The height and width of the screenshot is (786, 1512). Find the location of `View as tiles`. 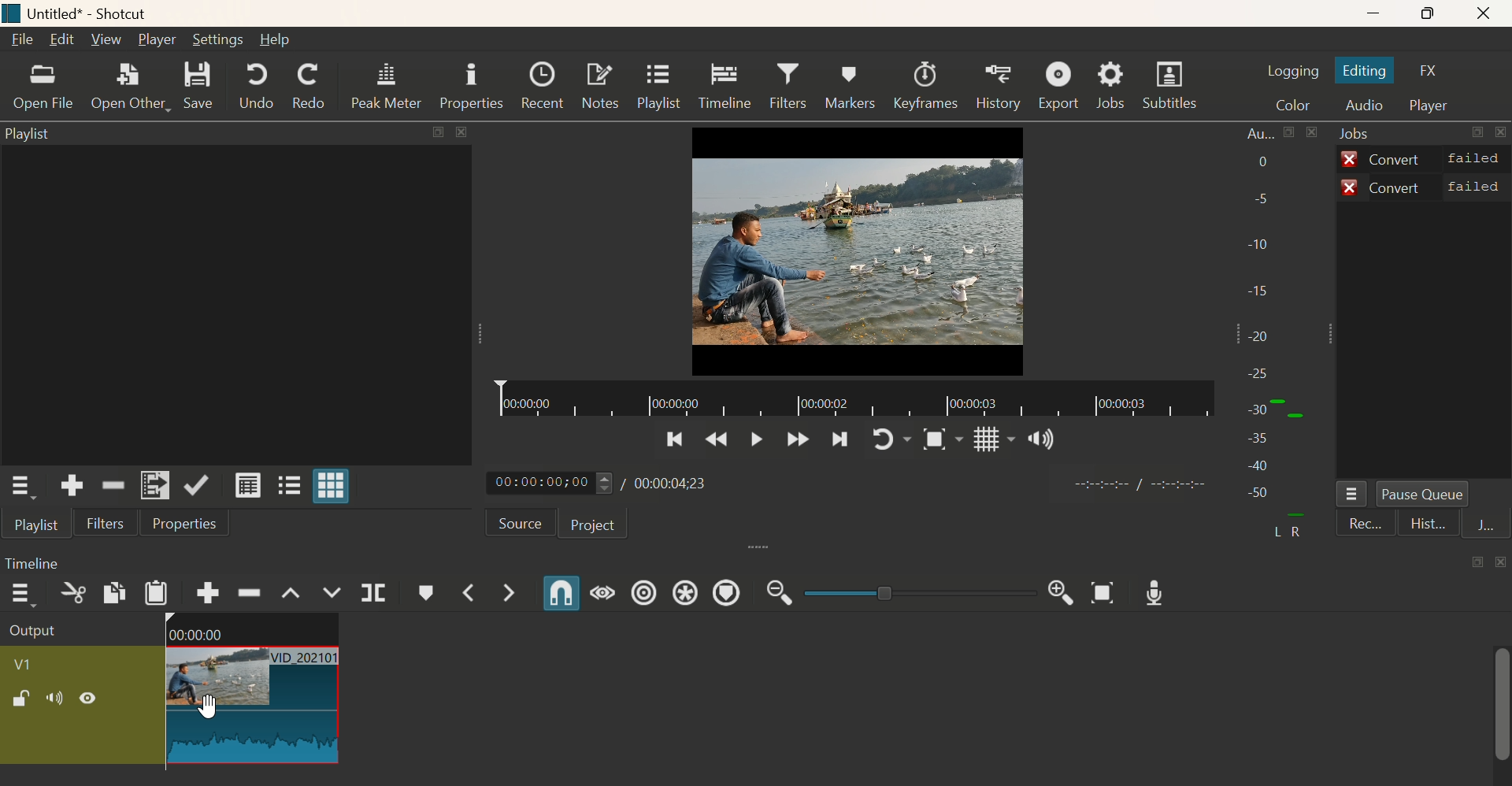

View as tiles is located at coordinates (291, 484).